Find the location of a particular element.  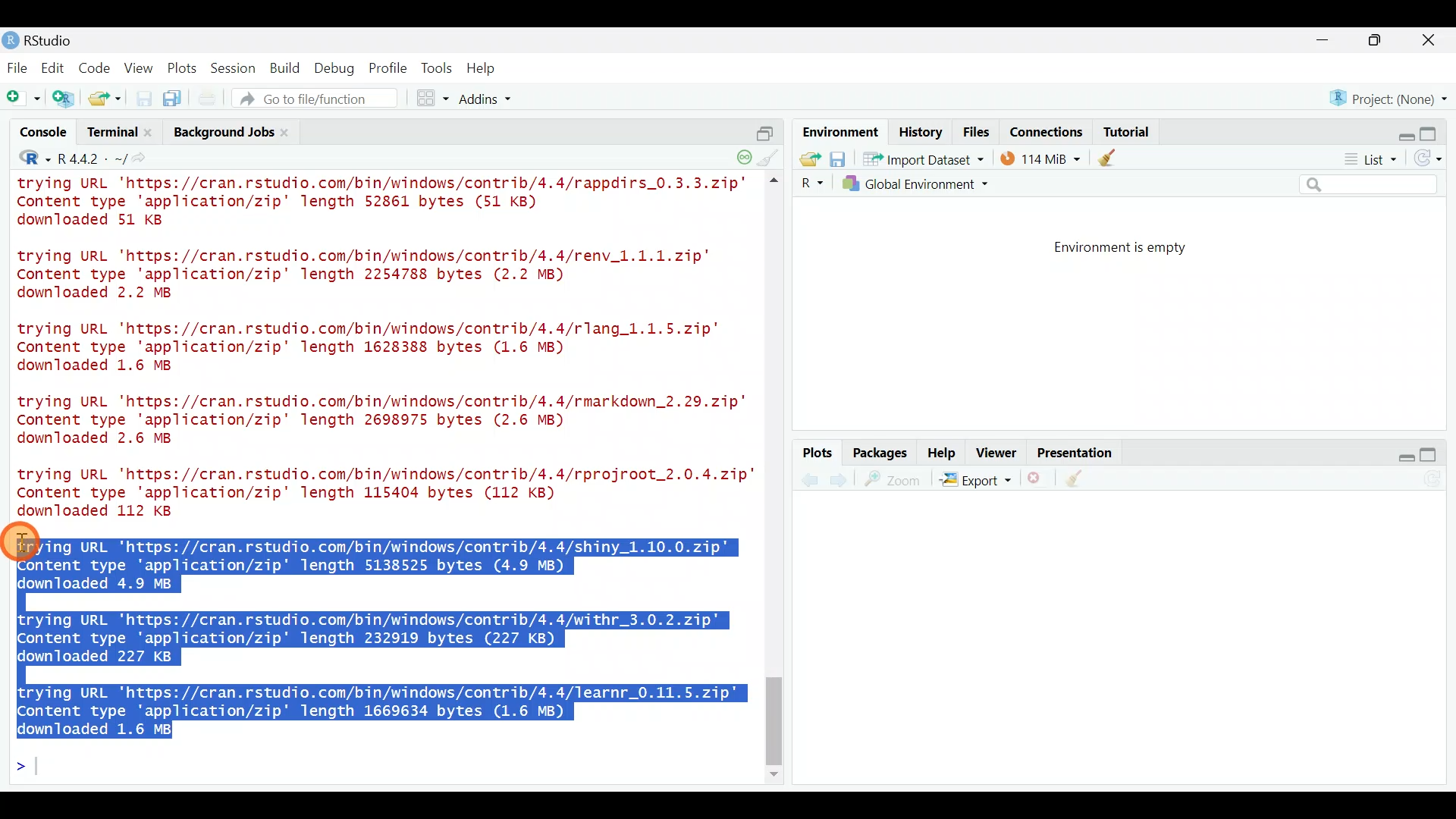

Restore down is located at coordinates (1400, 131).